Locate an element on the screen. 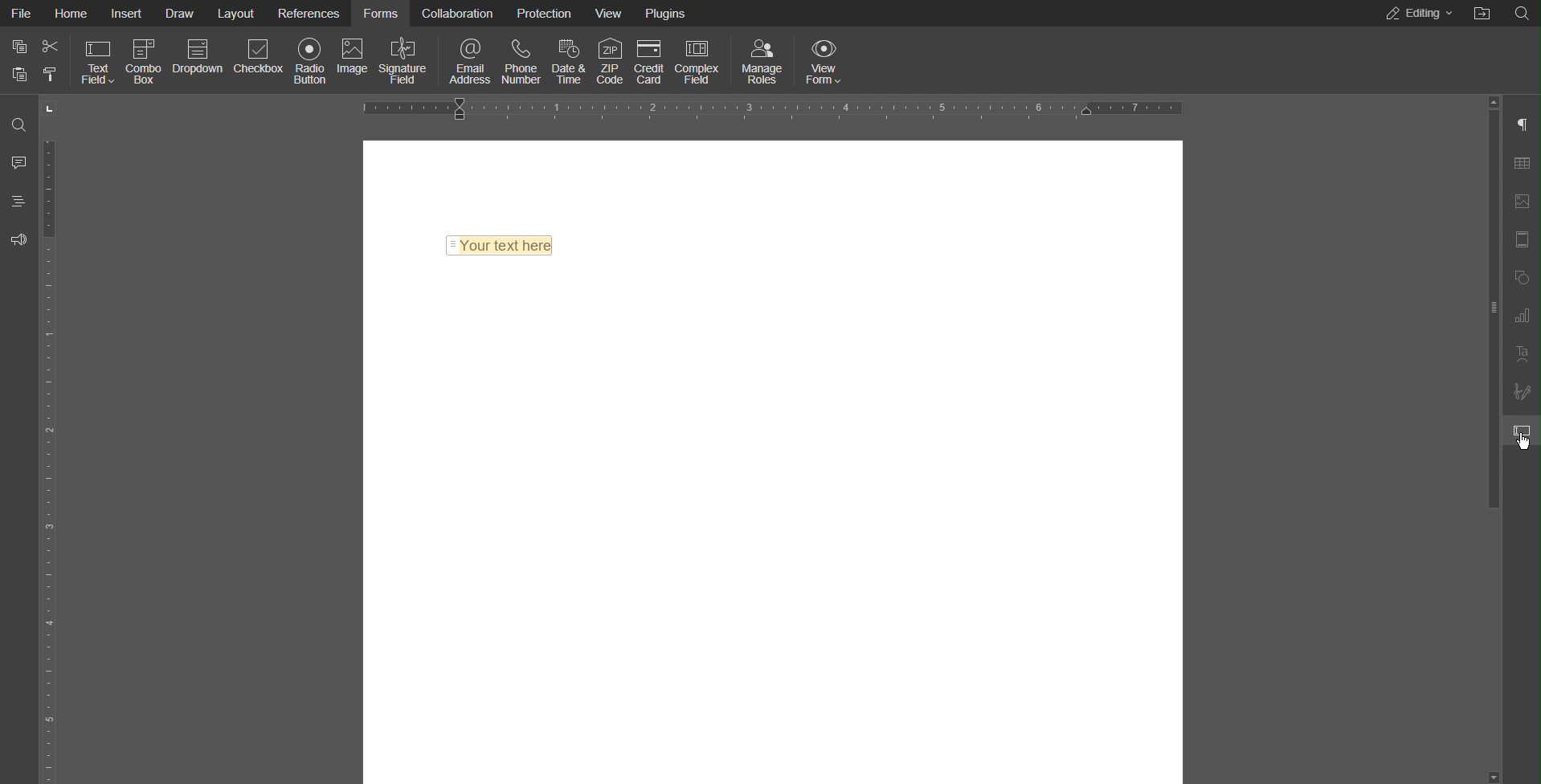  Table Settings is located at coordinates (1520, 161).